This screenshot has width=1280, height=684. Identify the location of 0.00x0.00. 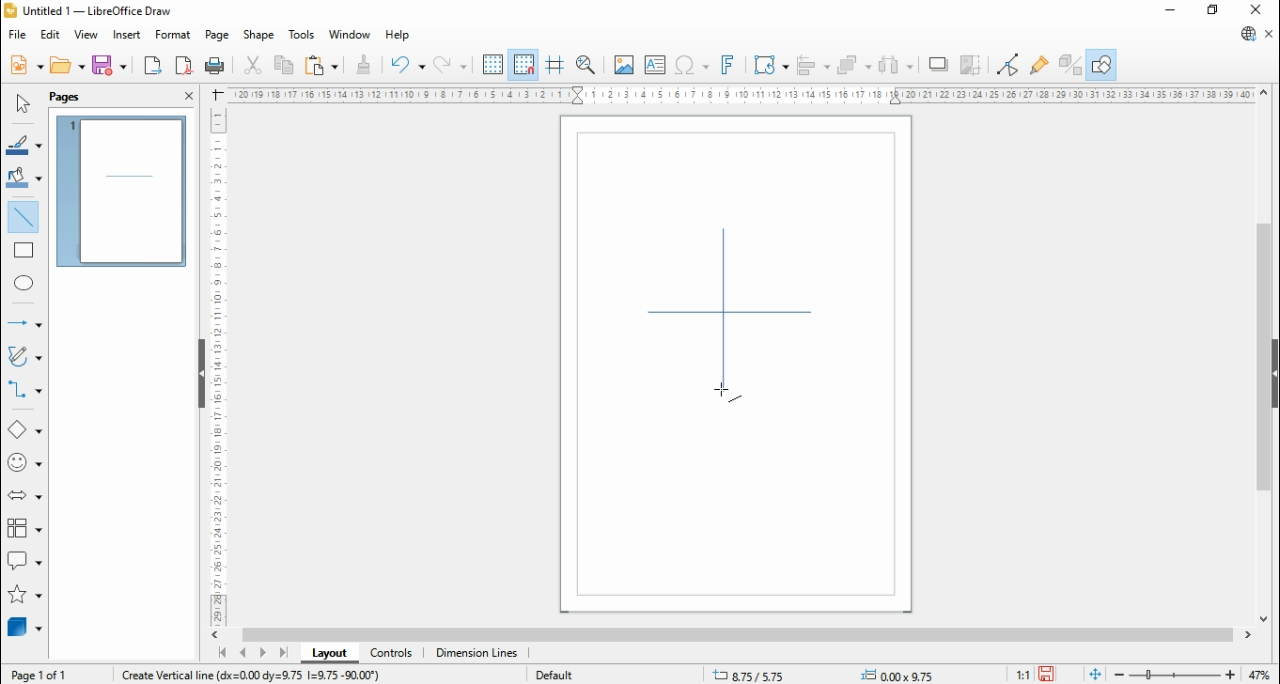
(900, 675).